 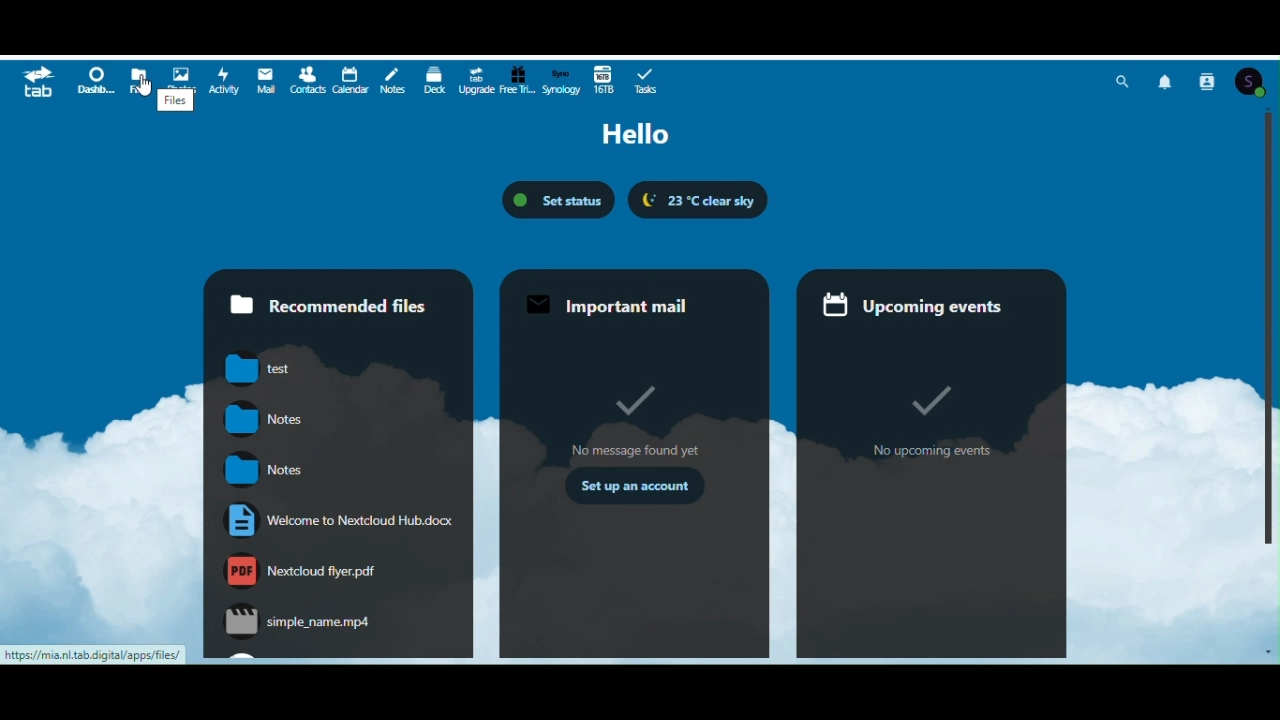 What do you see at coordinates (393, 80) in the screenshot?
I see `Notes` at bounding box center [393, 80].